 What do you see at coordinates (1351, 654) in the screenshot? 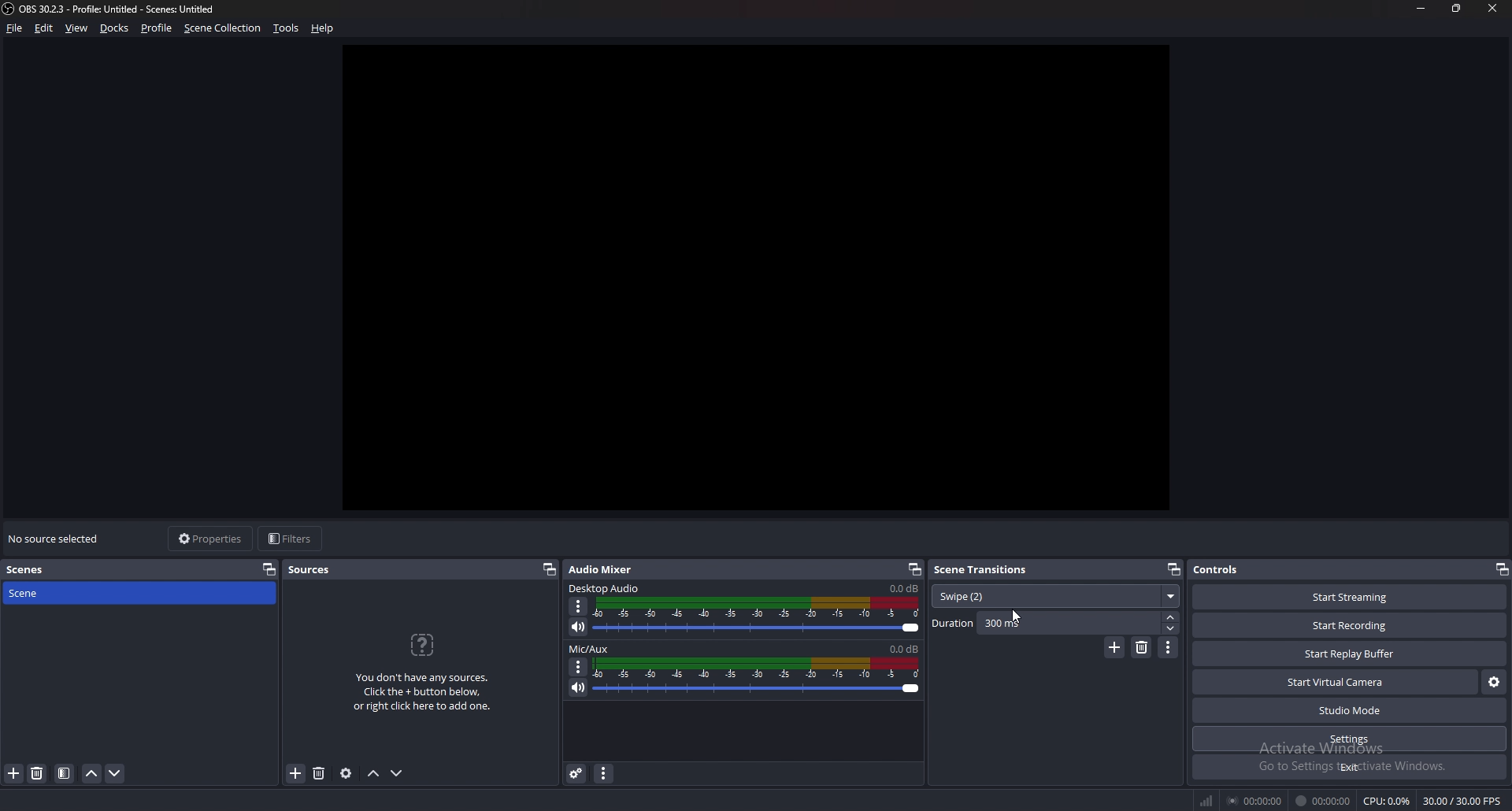
I see `start replay buffer` at bounding box center [1351, 654].